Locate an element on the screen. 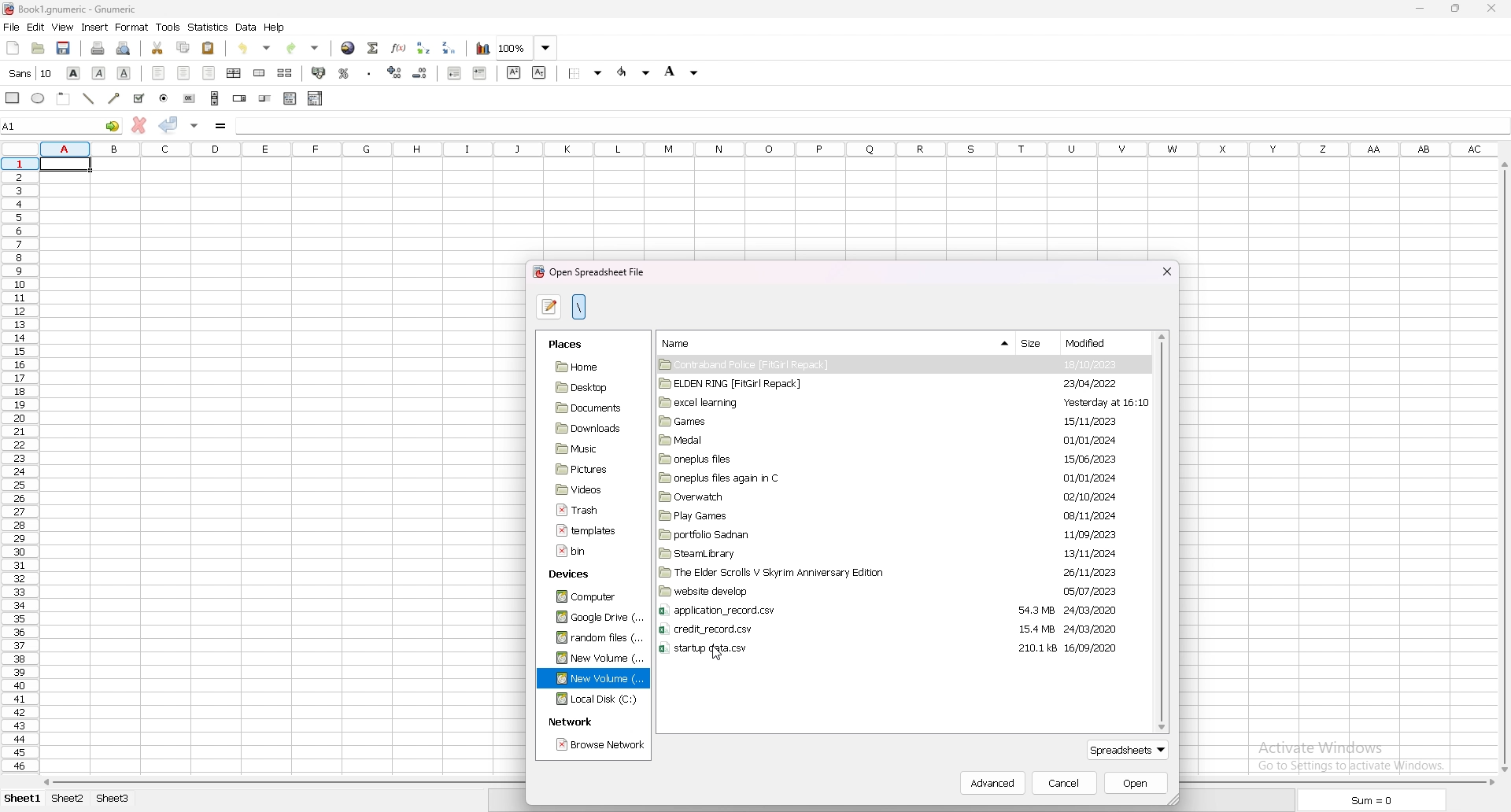 This screenshot has width=1511, height=812. save is located at coordinates (65, 48).